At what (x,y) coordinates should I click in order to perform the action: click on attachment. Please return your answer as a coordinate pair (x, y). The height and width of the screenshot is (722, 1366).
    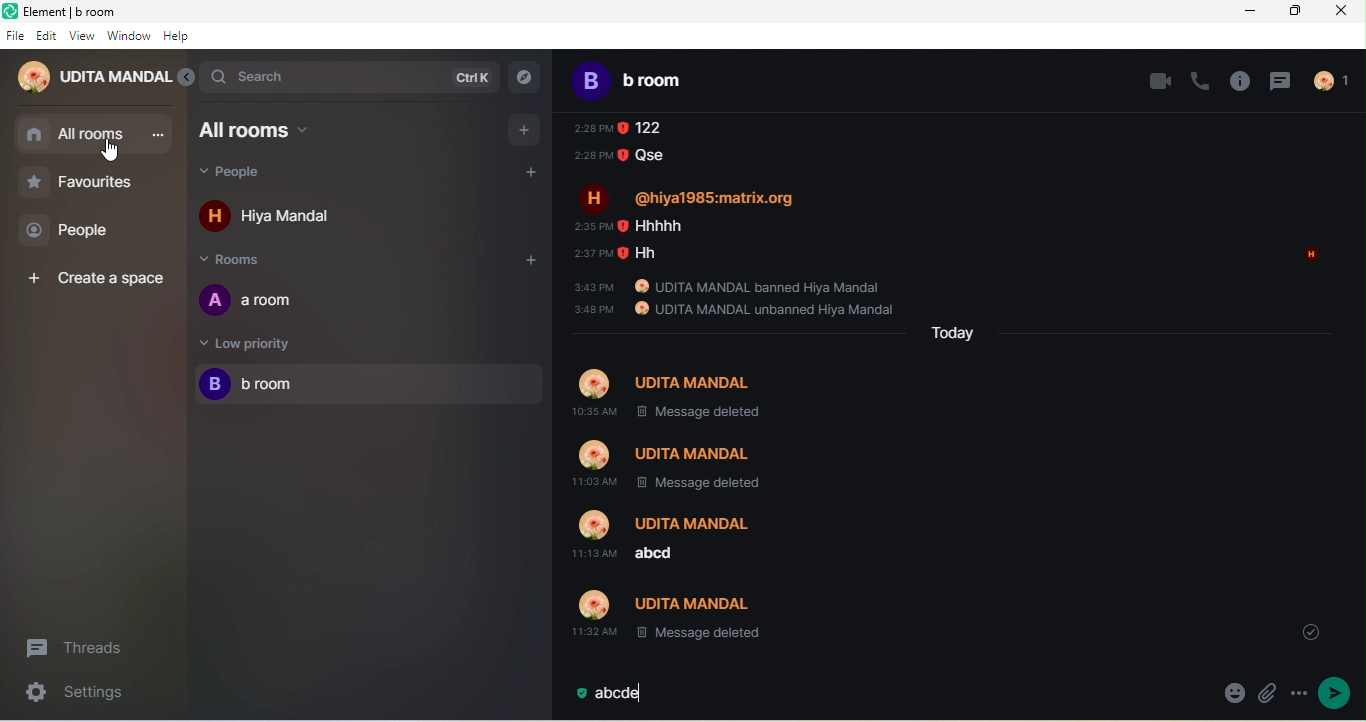
    Looking at the image, I should click on (1265, 694).